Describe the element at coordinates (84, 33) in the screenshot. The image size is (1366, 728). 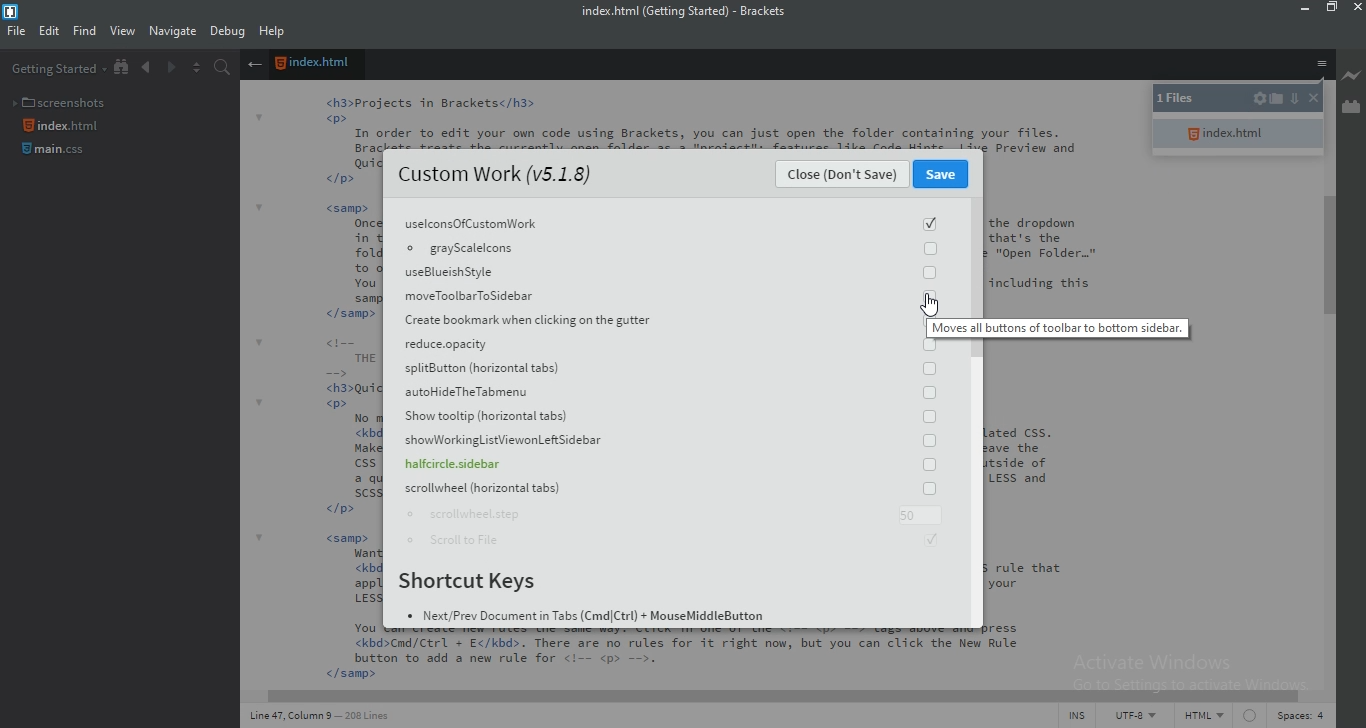
I see `Find` at that location.